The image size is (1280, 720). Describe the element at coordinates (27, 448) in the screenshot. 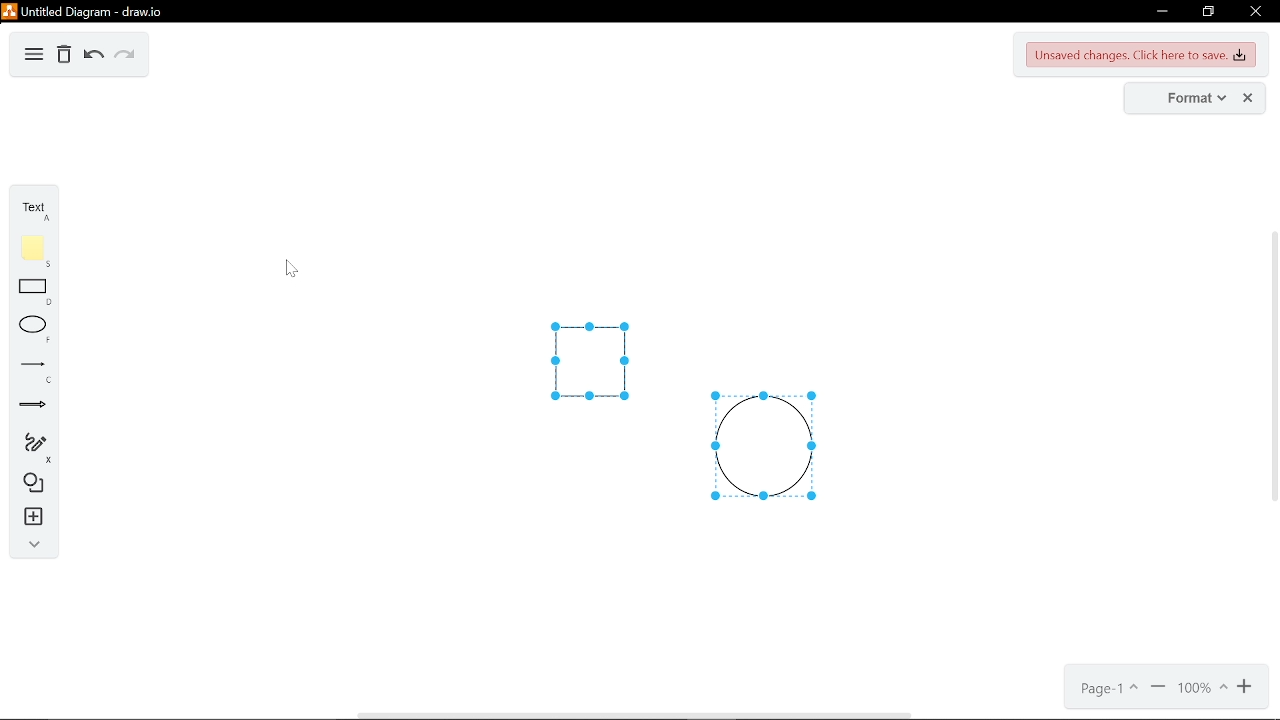

I see `freehand` at that location.